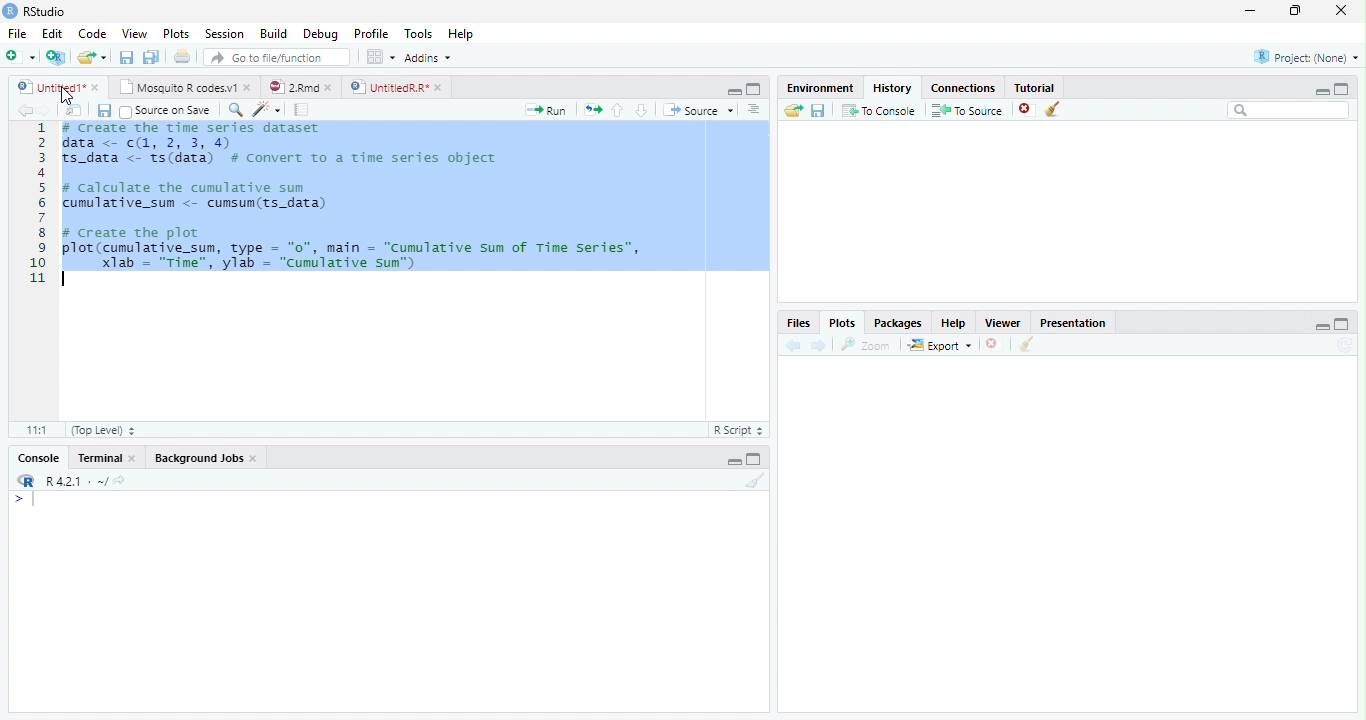  I want to click on Session, so click(224, 34).